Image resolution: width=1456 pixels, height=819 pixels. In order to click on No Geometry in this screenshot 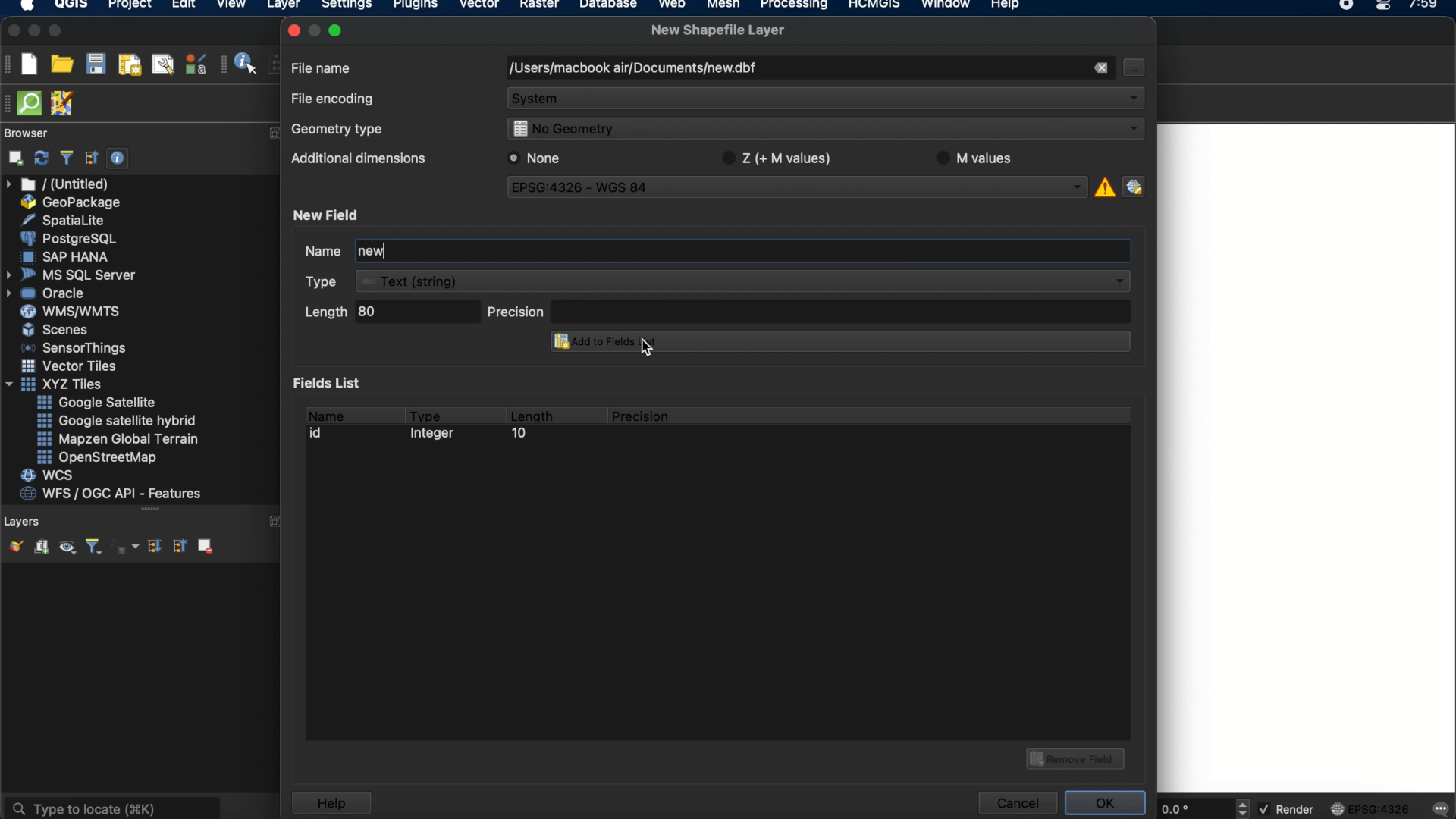, I will do `click(822, 130)`.